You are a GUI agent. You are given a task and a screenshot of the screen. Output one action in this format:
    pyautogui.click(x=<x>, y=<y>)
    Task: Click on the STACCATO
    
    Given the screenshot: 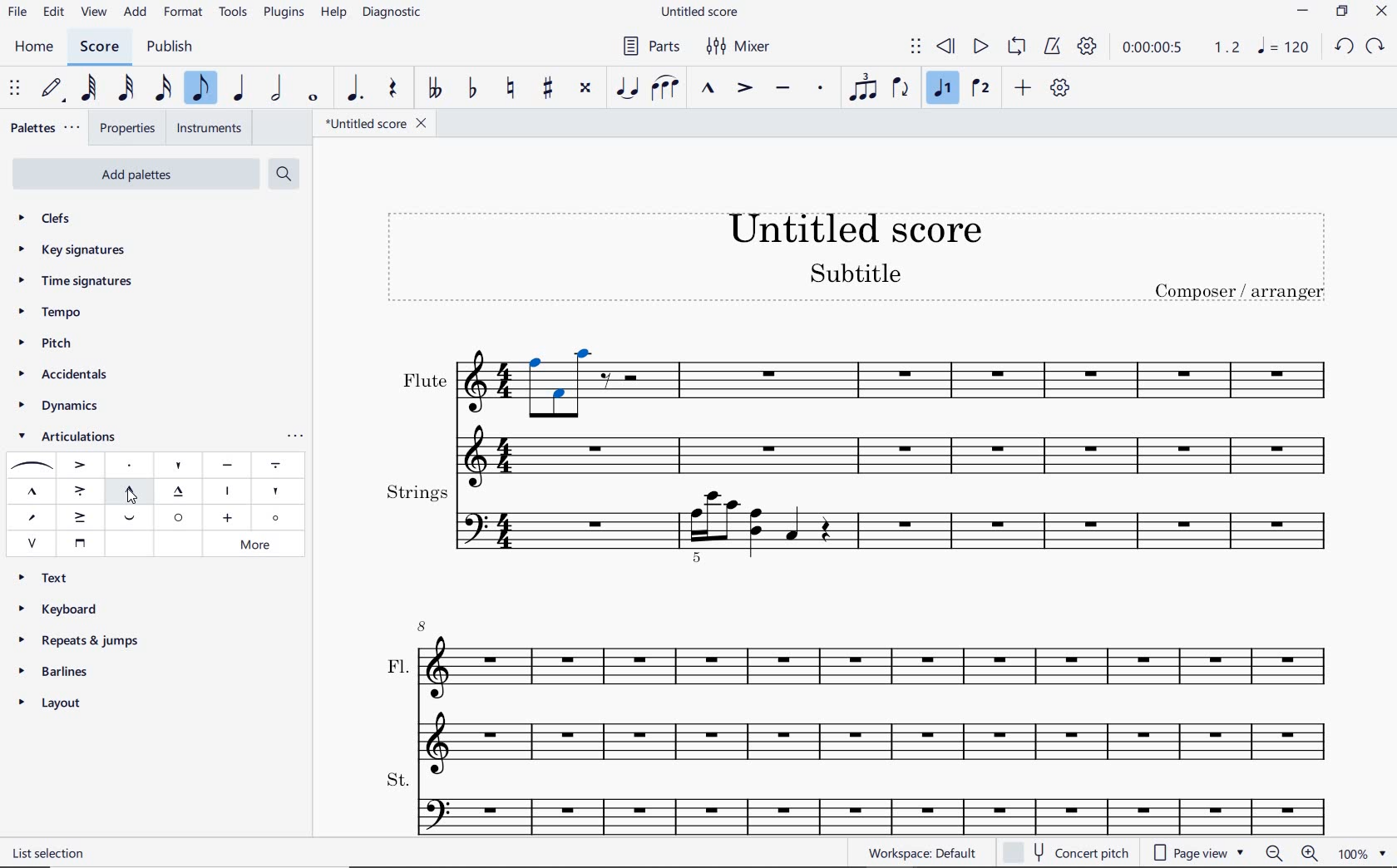 What is the action you would take?
    pyautogui.click(x=822, y=89)
    